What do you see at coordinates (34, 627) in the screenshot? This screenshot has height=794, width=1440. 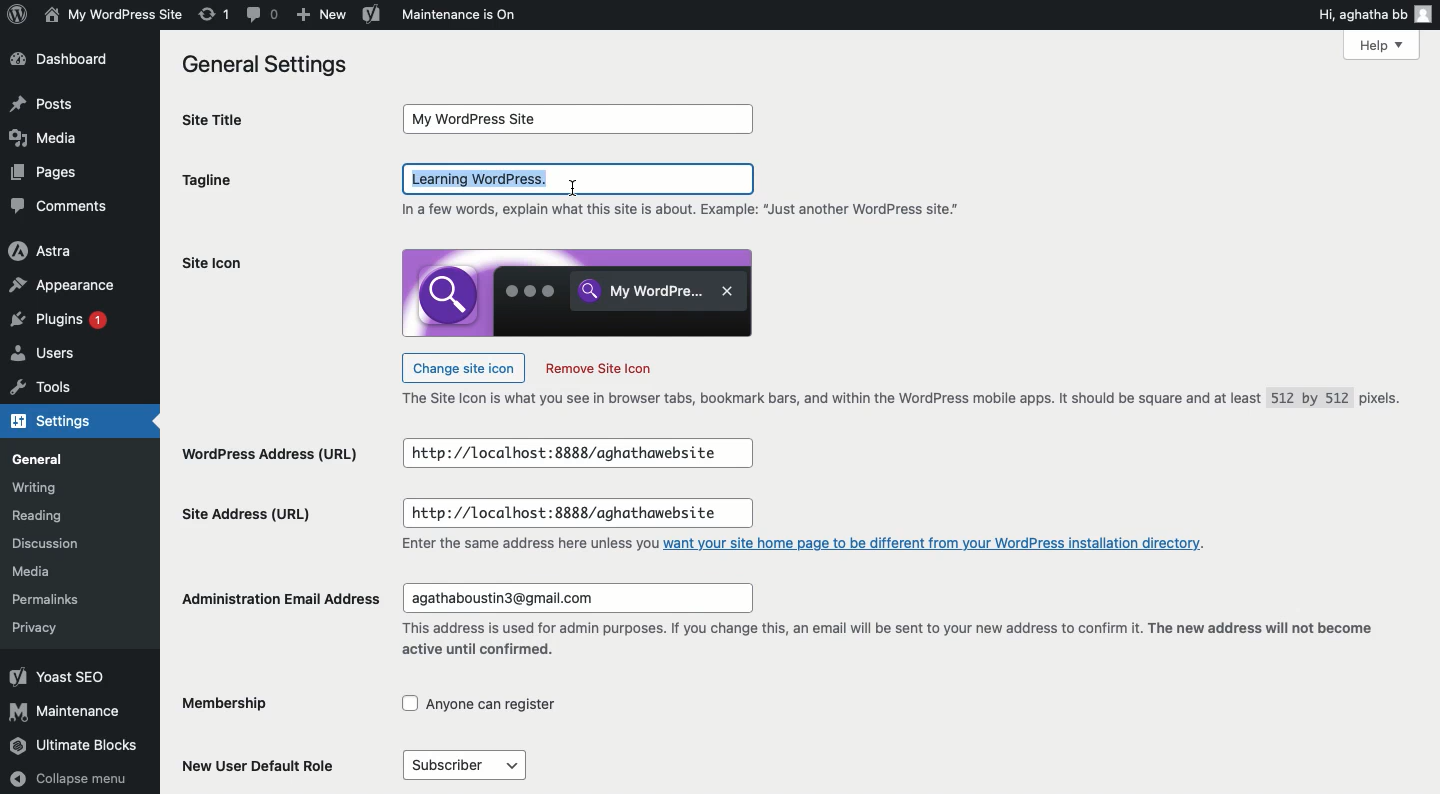 I see `Privacy` at bounding box center [34, 627].